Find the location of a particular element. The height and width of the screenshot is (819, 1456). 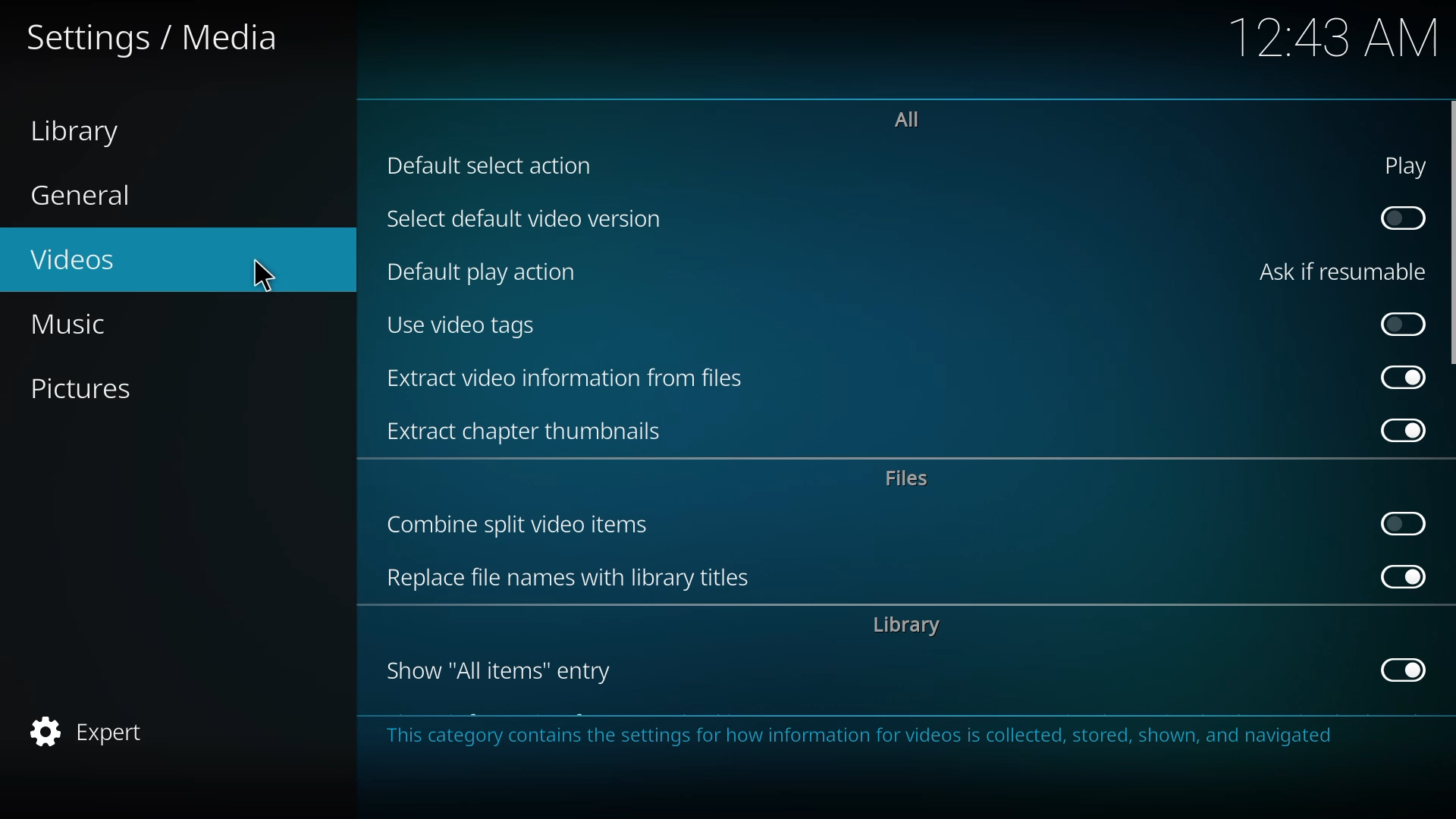

use video tags is located at coordinates (469, 328).